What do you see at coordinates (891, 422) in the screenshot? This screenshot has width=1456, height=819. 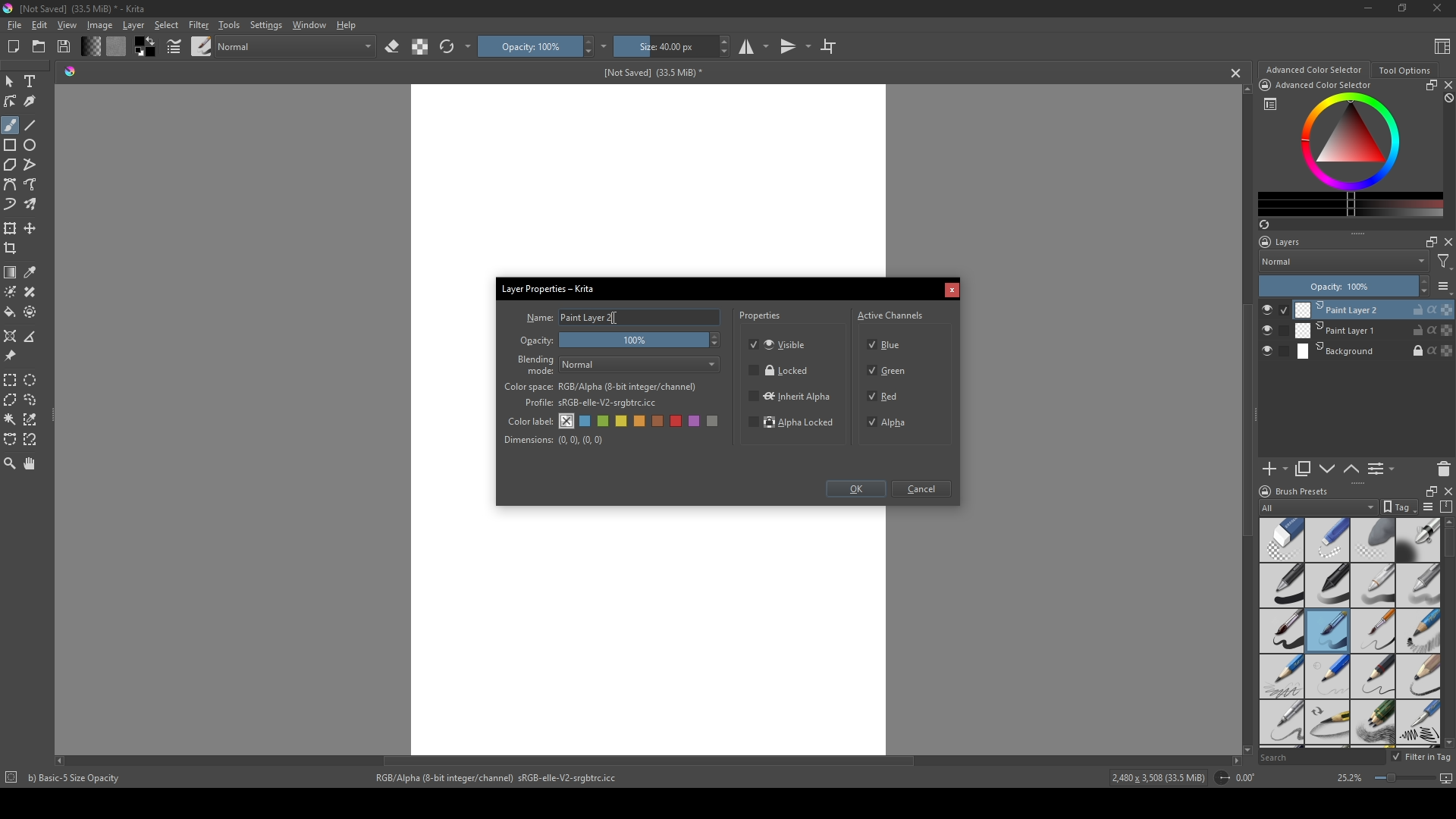 I see `Alpha` at bounding box center [891, 422].